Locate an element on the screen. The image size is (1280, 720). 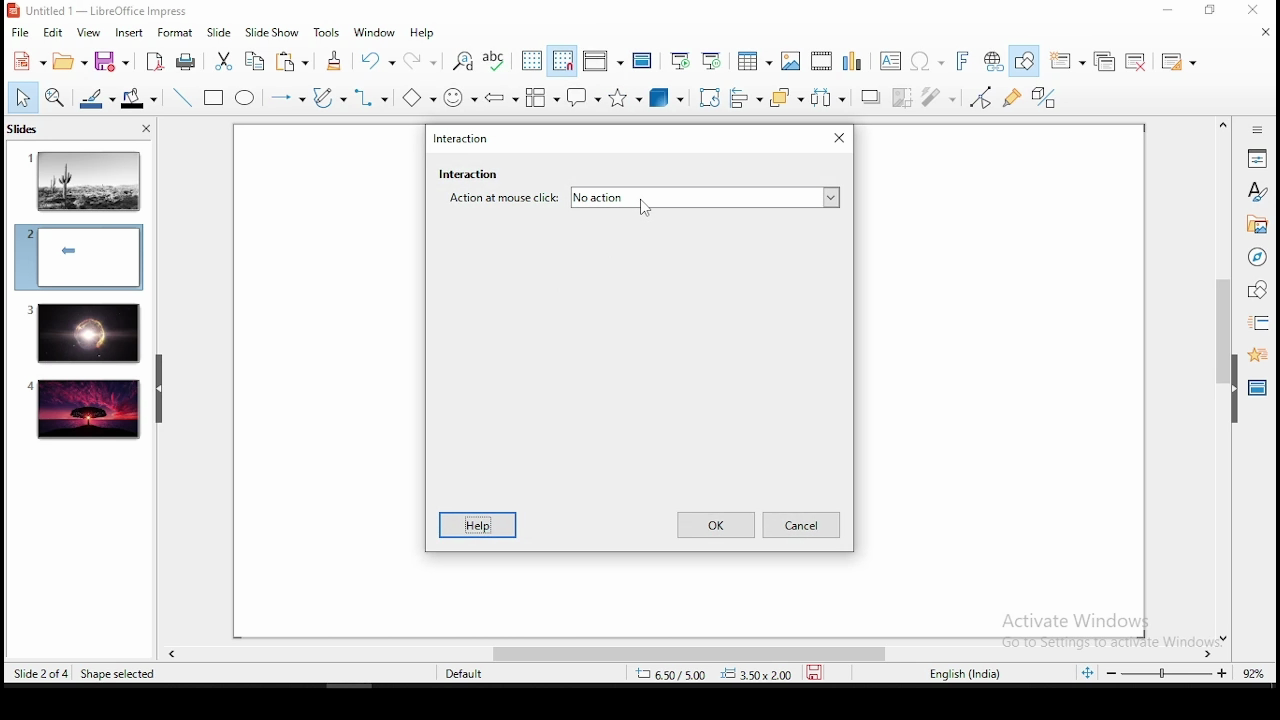
english (india) is located at coordinates (967, 673).